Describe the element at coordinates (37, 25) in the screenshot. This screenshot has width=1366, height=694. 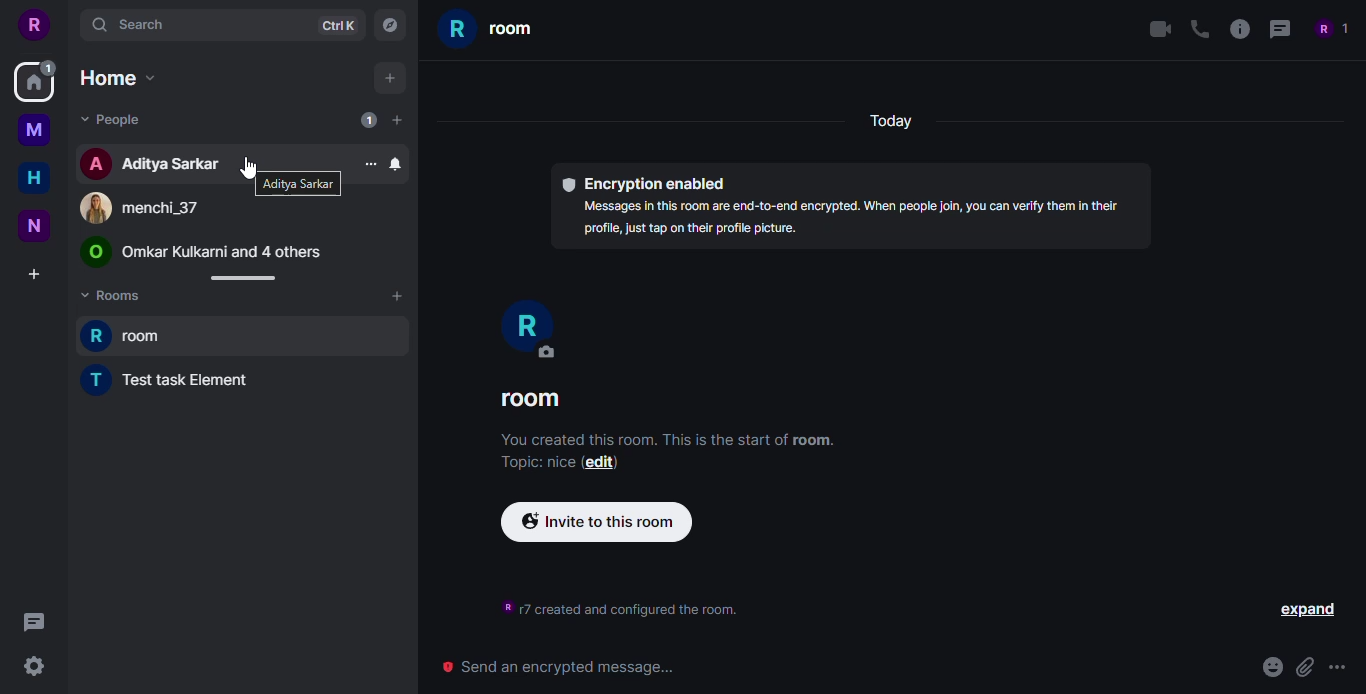
I see `profile` at that location.